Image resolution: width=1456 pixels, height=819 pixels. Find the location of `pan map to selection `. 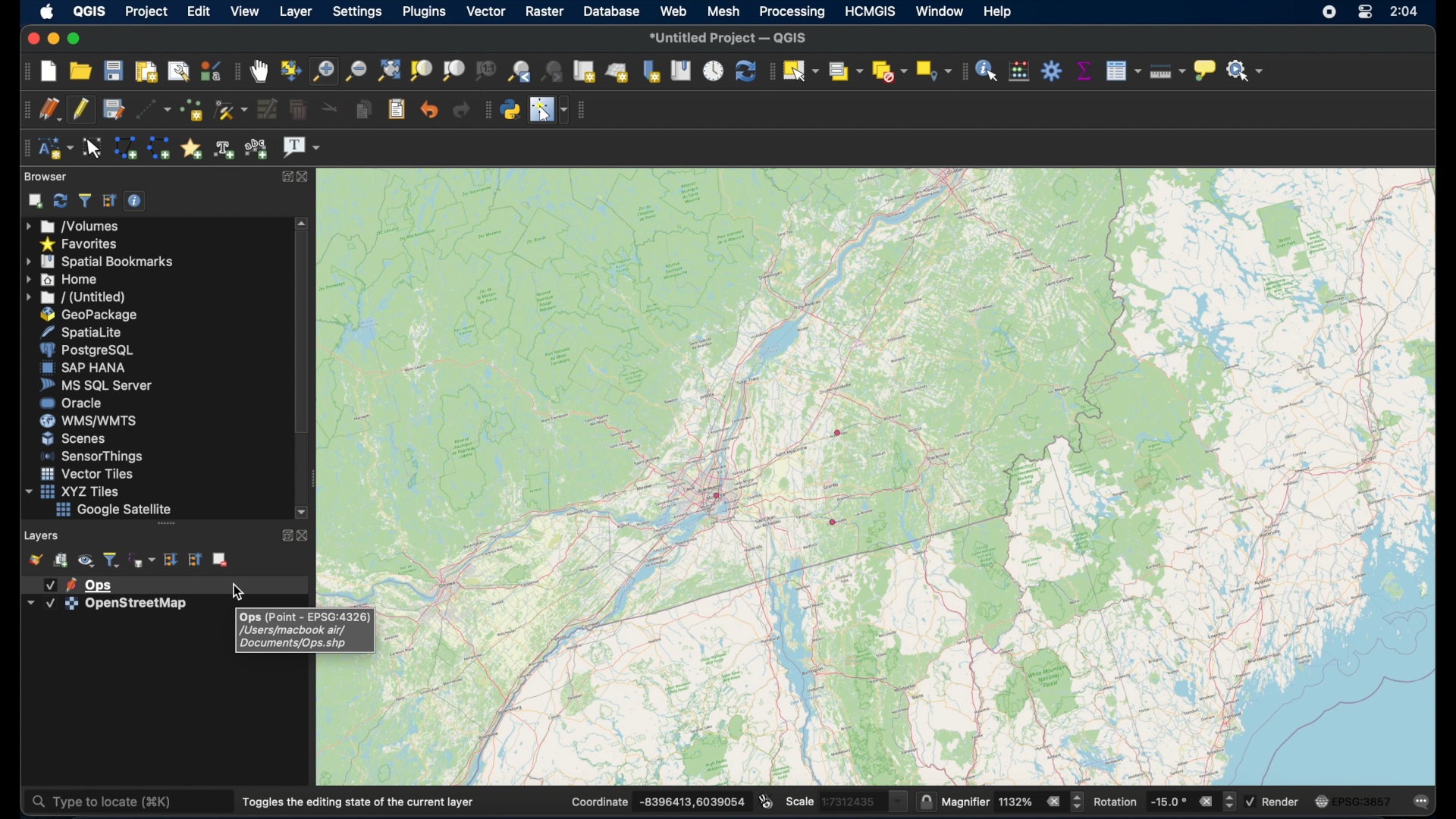

pan map to selection  is located at coordinates (290, 70).